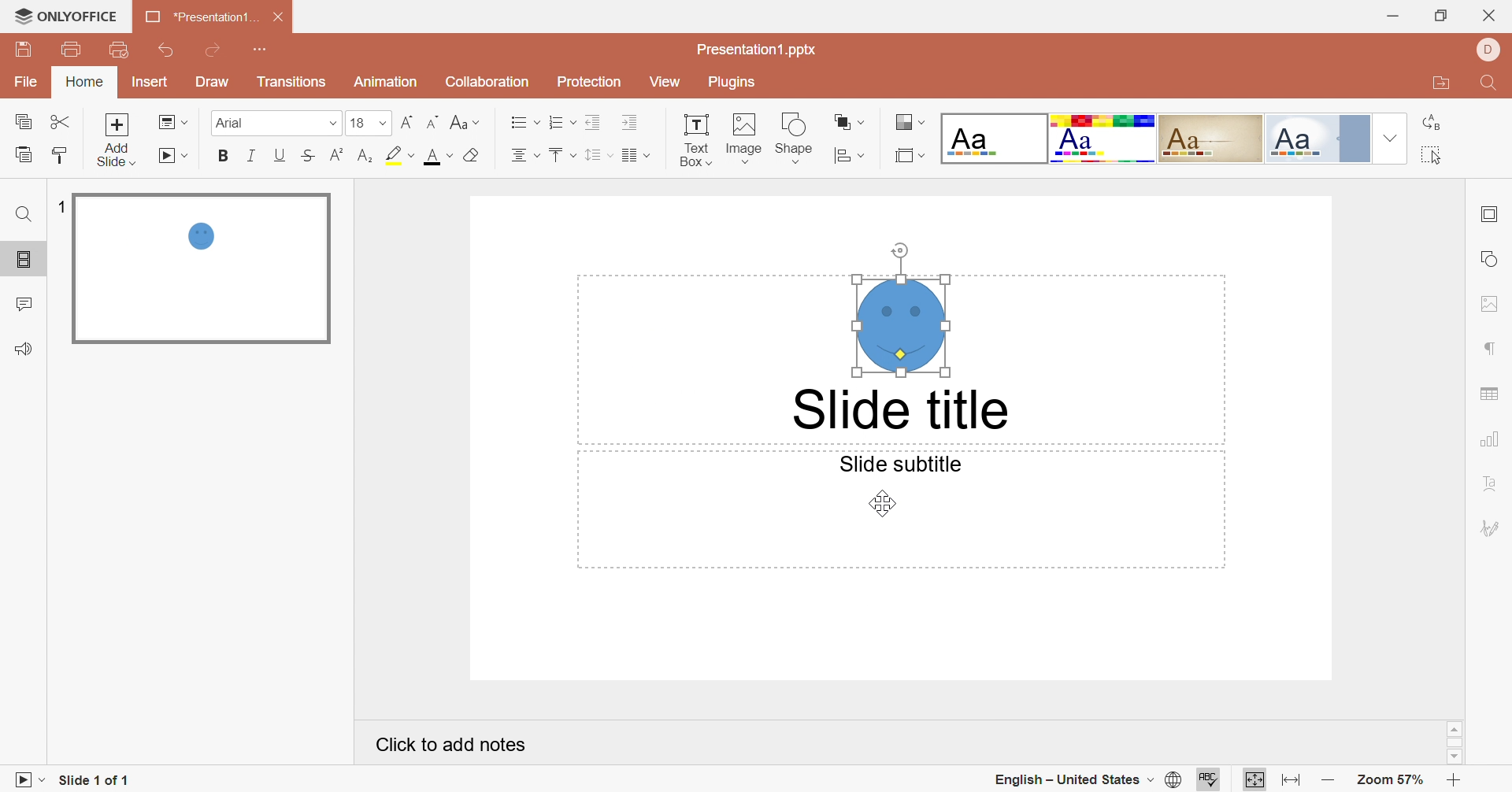 The height and width of the screenshot is (792, 1512). Describe the element at coordinates (563, 124) in the screenshot. I see `Numbering` at that location.